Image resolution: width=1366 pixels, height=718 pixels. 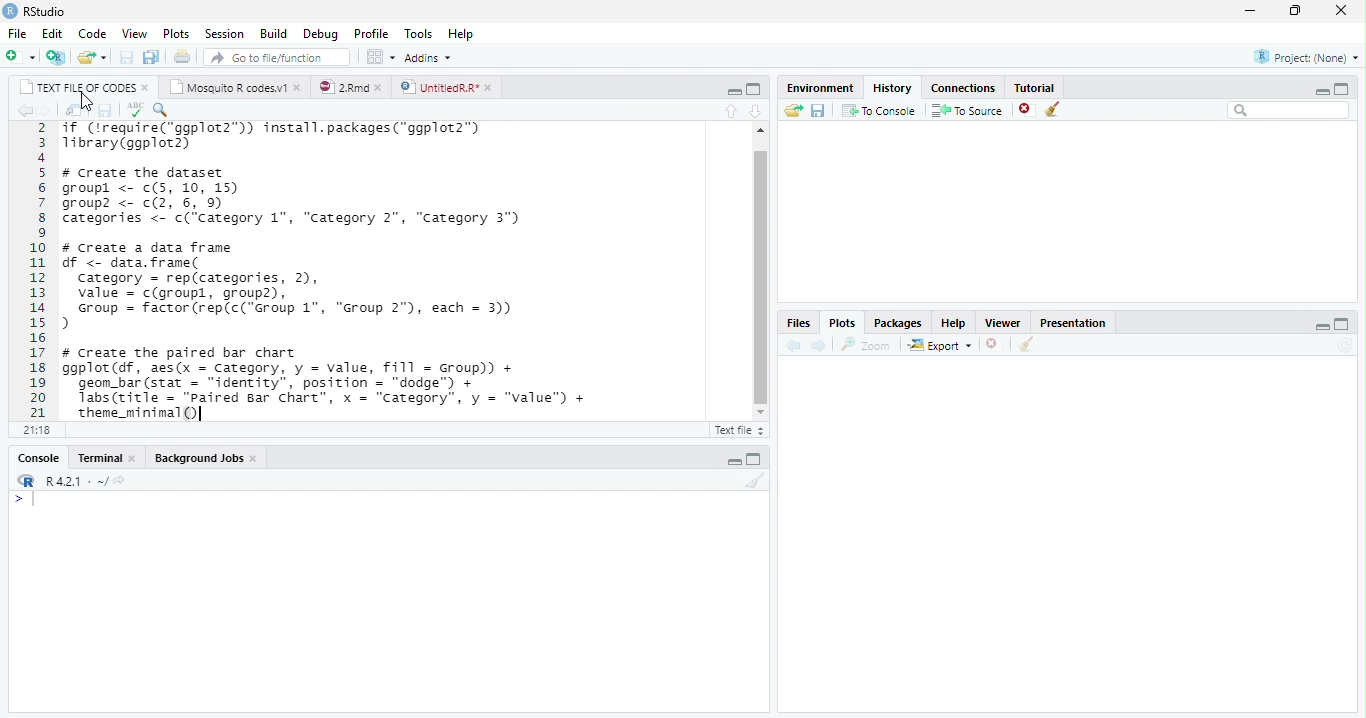 What do you see at coordinates (347, 270) in the screenshot?
I see `if (treguire(“ggplot2™)) install.packages("ggplot2™)Tibrary(ggplot2)# Create the datasetgroupl <- c(5, 10, 15)group? <- c(2, 6, 9)Categories <- c(‘Category 1", “Category 2", “Category 3")# Create a data framedf <- data. frame(category = rep(categories, 2),value = c(groupl, group2),Group = factor (rep(c("Group 1", “Group 2°), each = 3))># Create the paired bar chartggplot (df, aes(x = Category, y = value, fill = Group) +geom_bar (stat = “identity”, position = "dodge™) +Tabs (title = "Paired Bar Chart”, x = “Category”, y = “value") +theme_minimal()` at bounding box center [347, 270].